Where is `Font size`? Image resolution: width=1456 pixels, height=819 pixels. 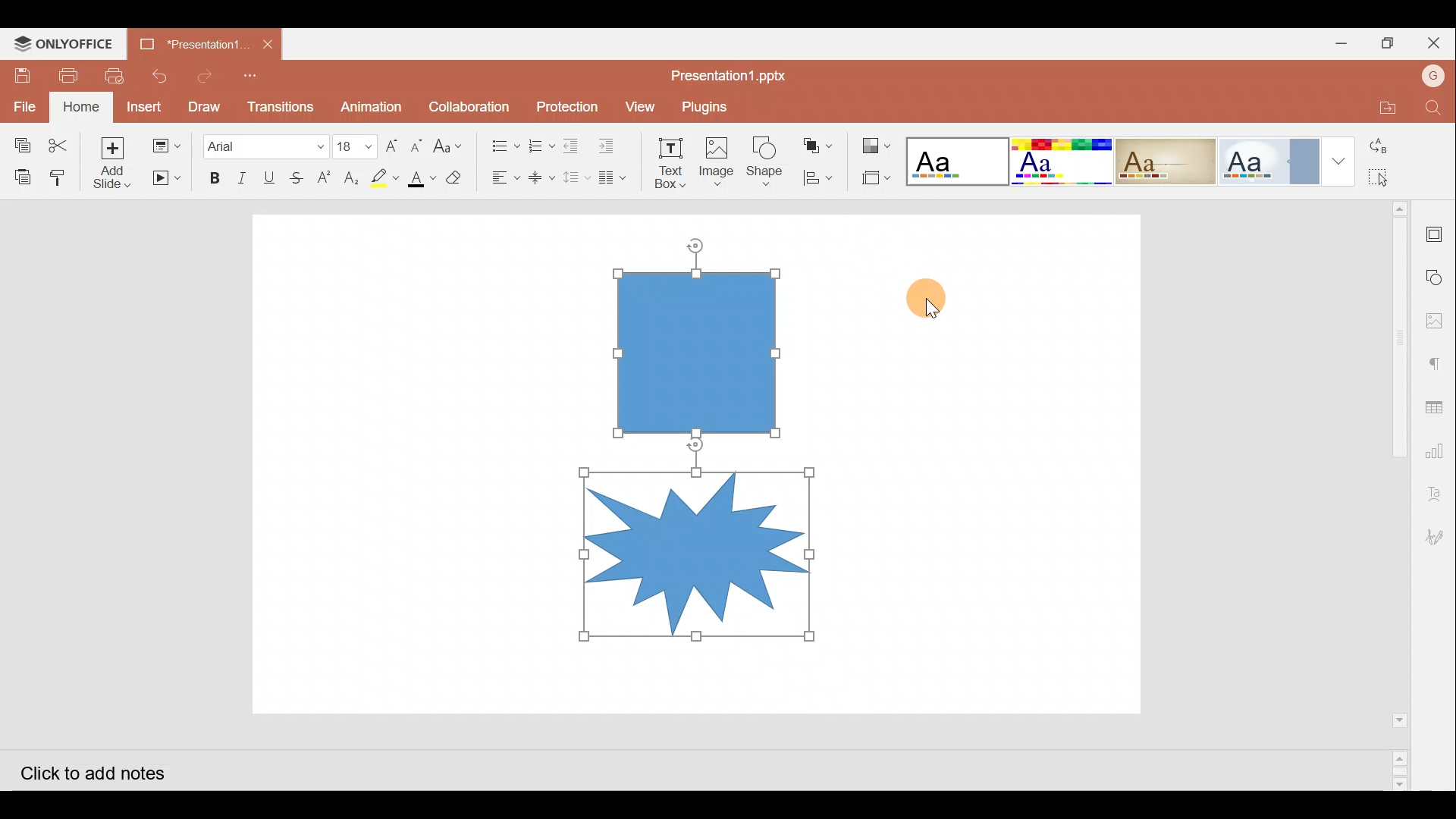 Font size is located at coordinates (350, 140).